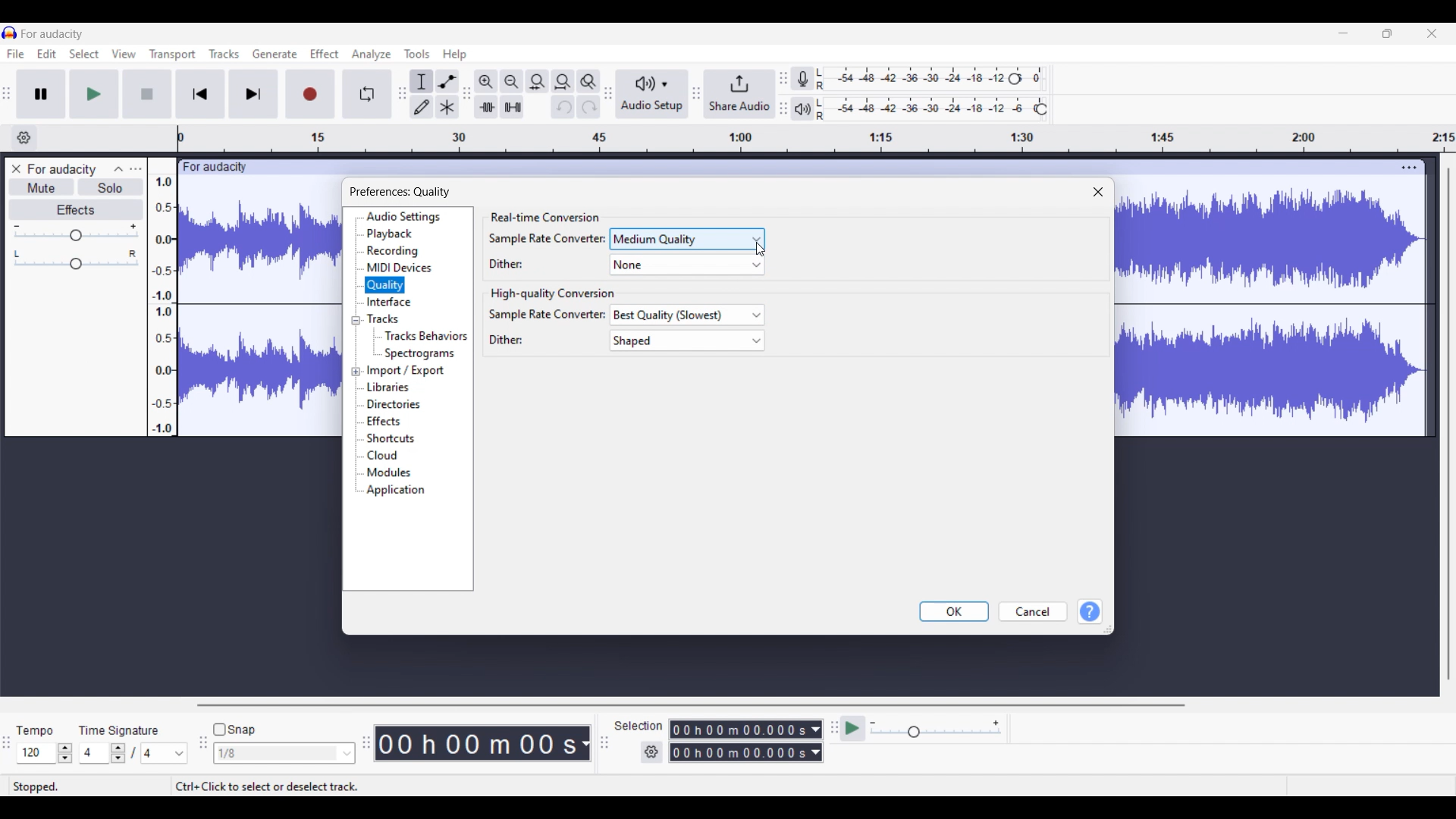 Image resolution: width=1456 pixels, height=819 pixels. I want to click on Help, so click(1090, 611).